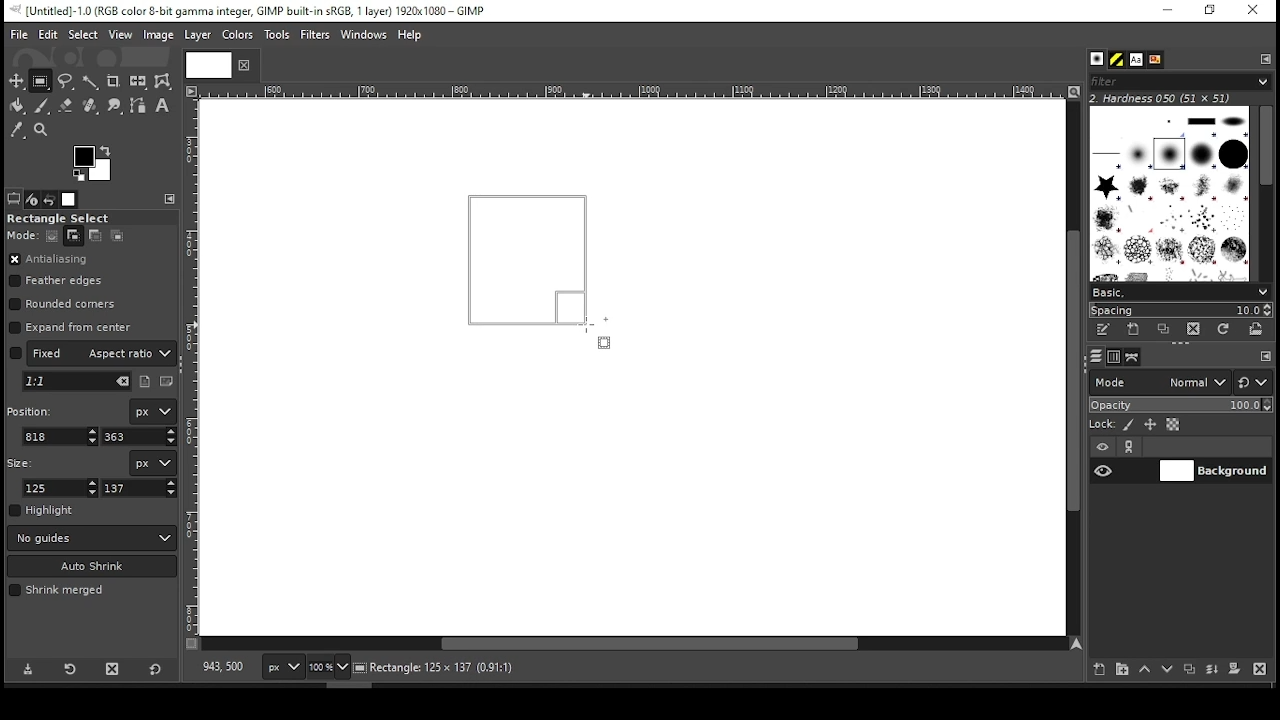 The image size is (1280, 720). Describe the element at coordinates (1095, 357) in the screenshot. I see `layers` at that location.